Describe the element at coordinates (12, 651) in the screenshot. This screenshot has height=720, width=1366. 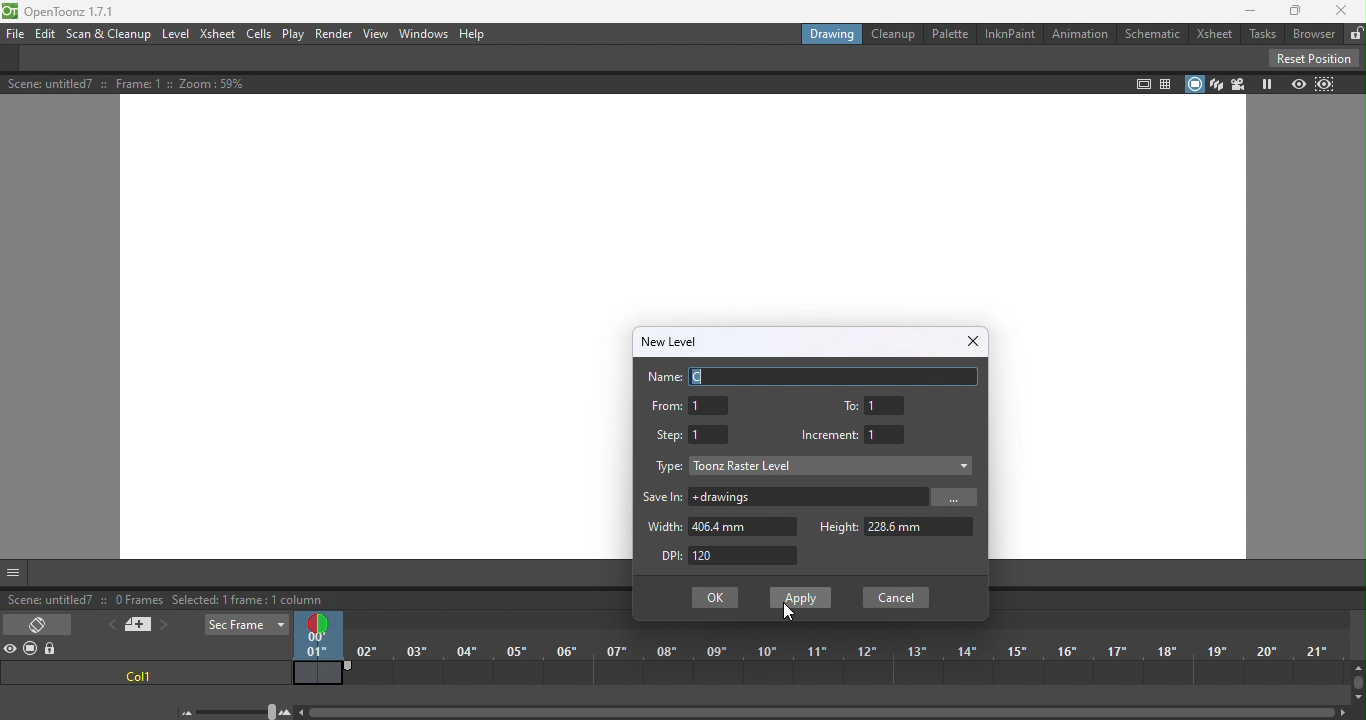
I see `Preview visibility toggle all` at that location.